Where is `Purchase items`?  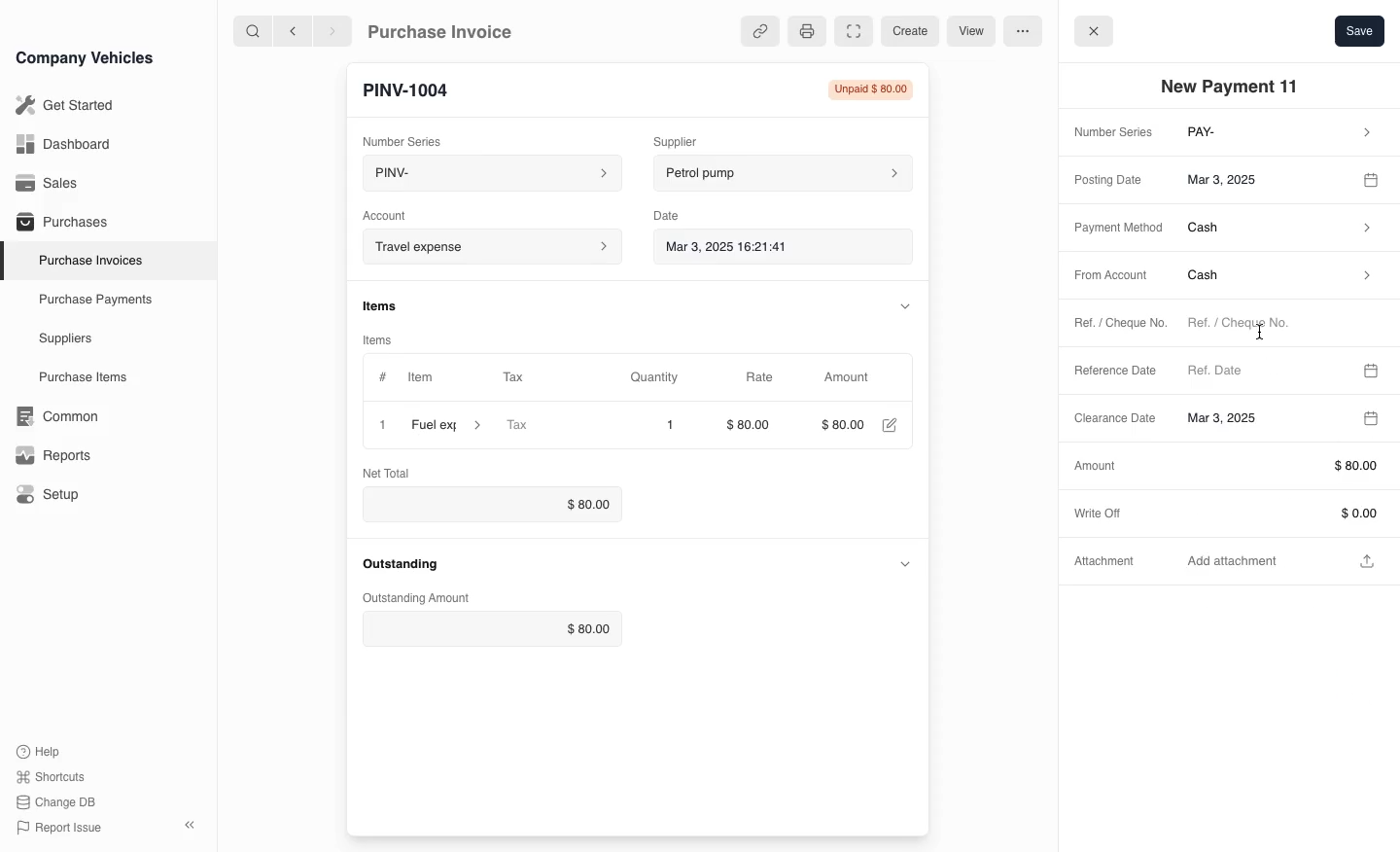 Purchase items is located at coordinates (76, 377).